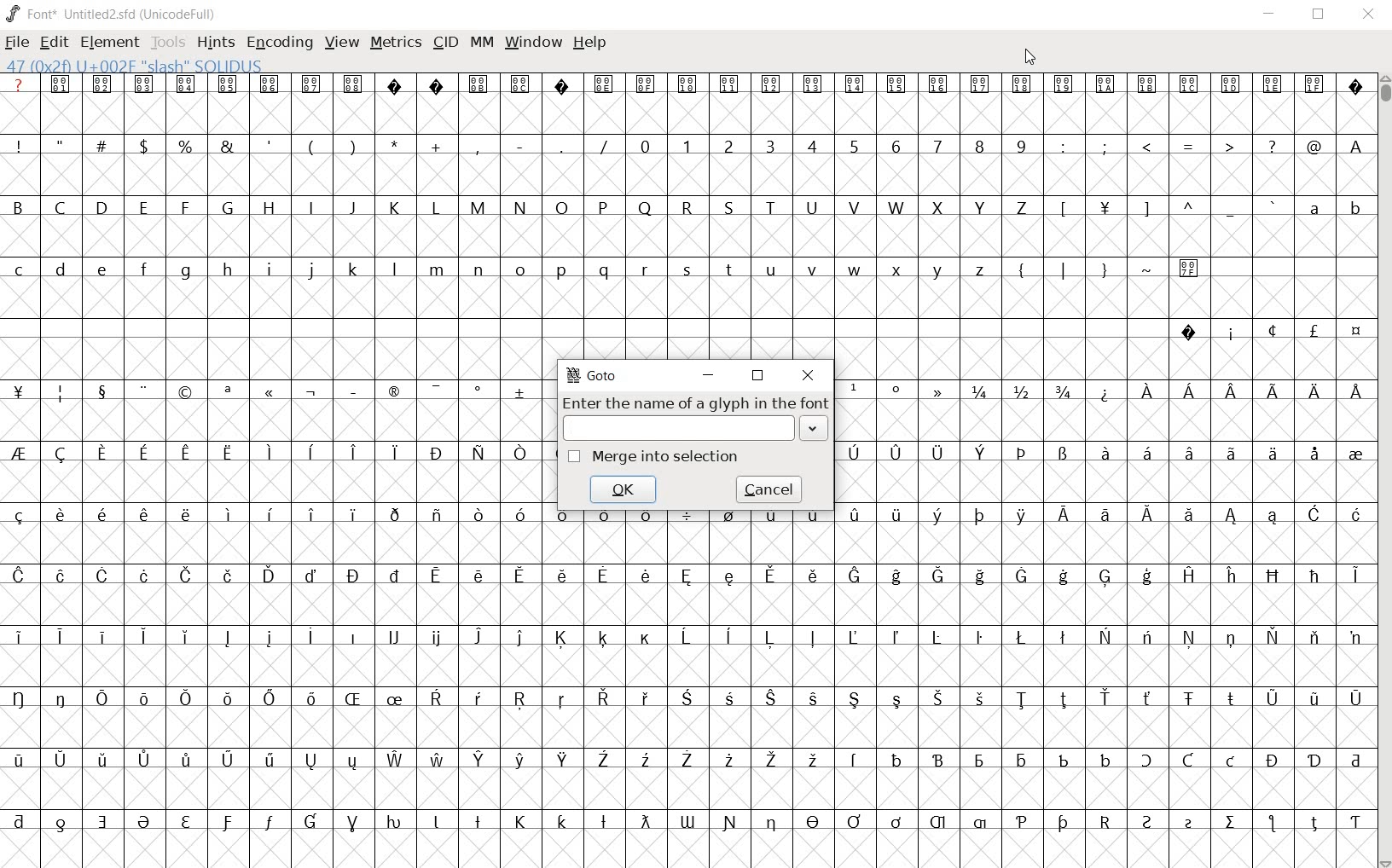 This screenshot has width=1392, height=868. I want to click on special letters, so click(275, 514).